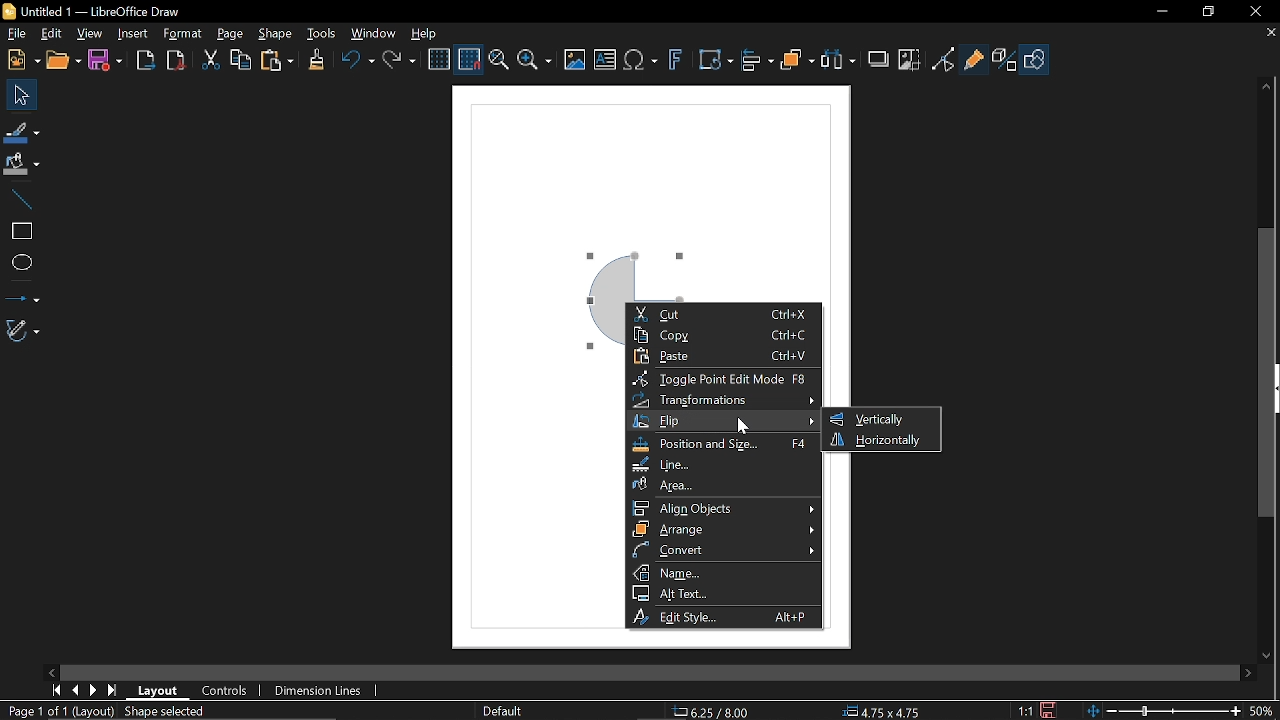  I want to click on Edit style   Alt+P, so click(721, 617).